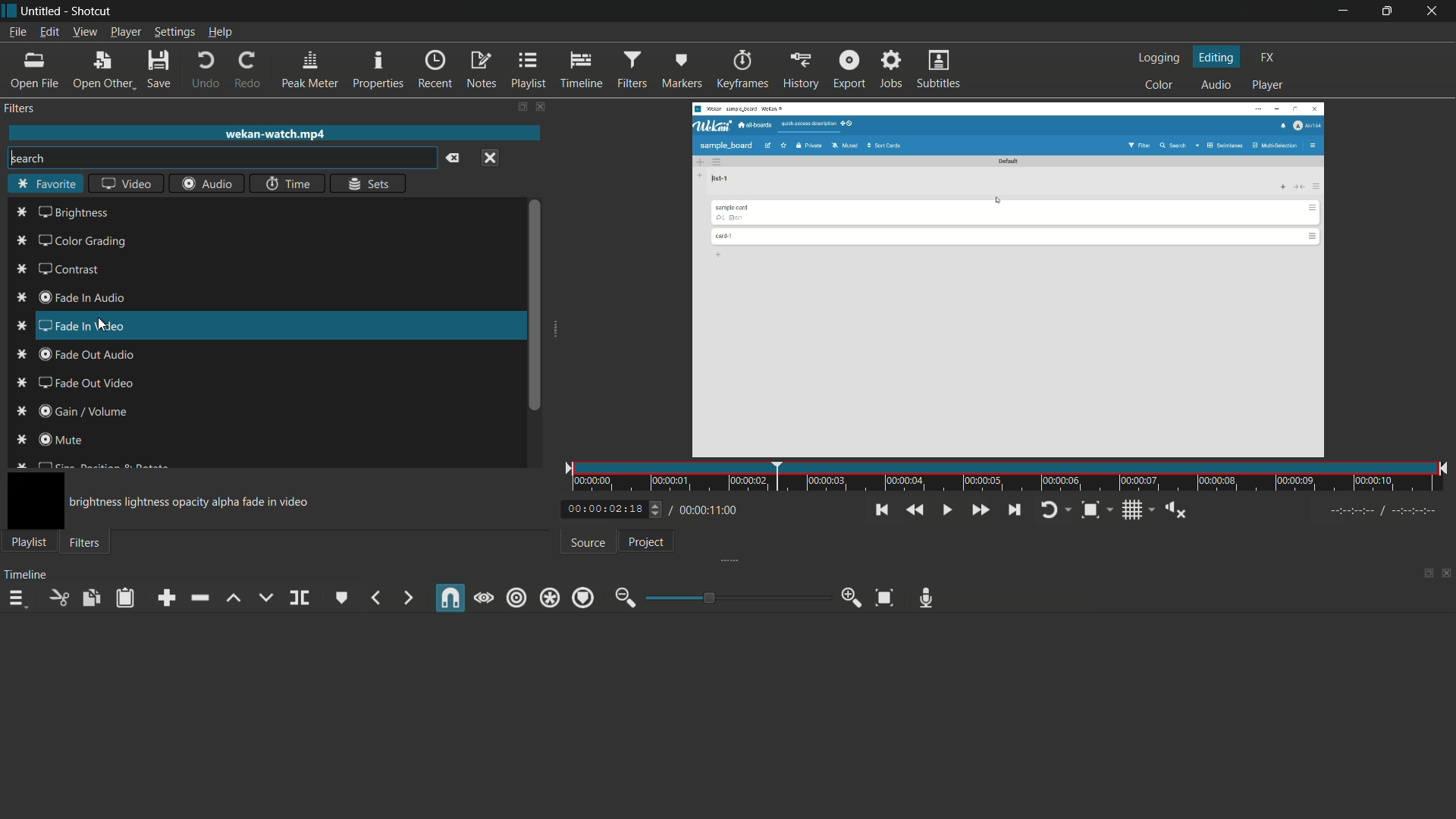  What do you see at coordinates (651, 509) in the screenshot?
I see `adjust` at bounding box center [651, 509].